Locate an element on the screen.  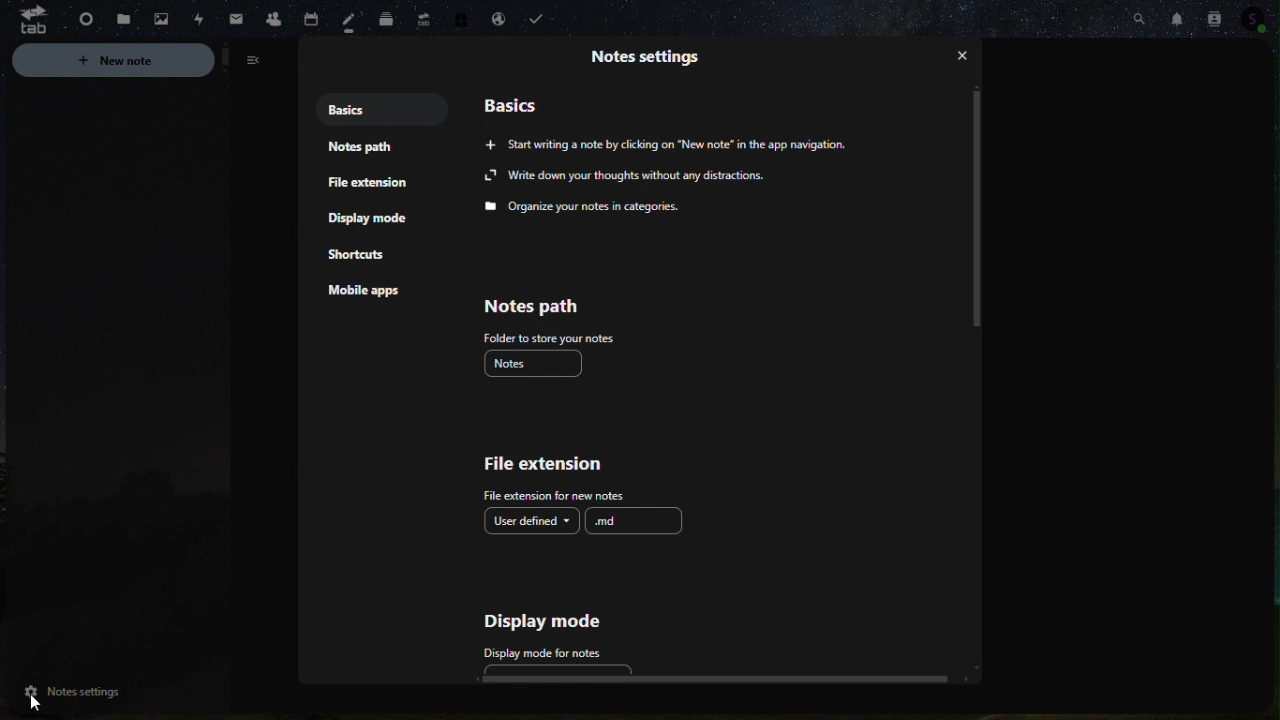
Display mode is located at coordinates (546, 620).